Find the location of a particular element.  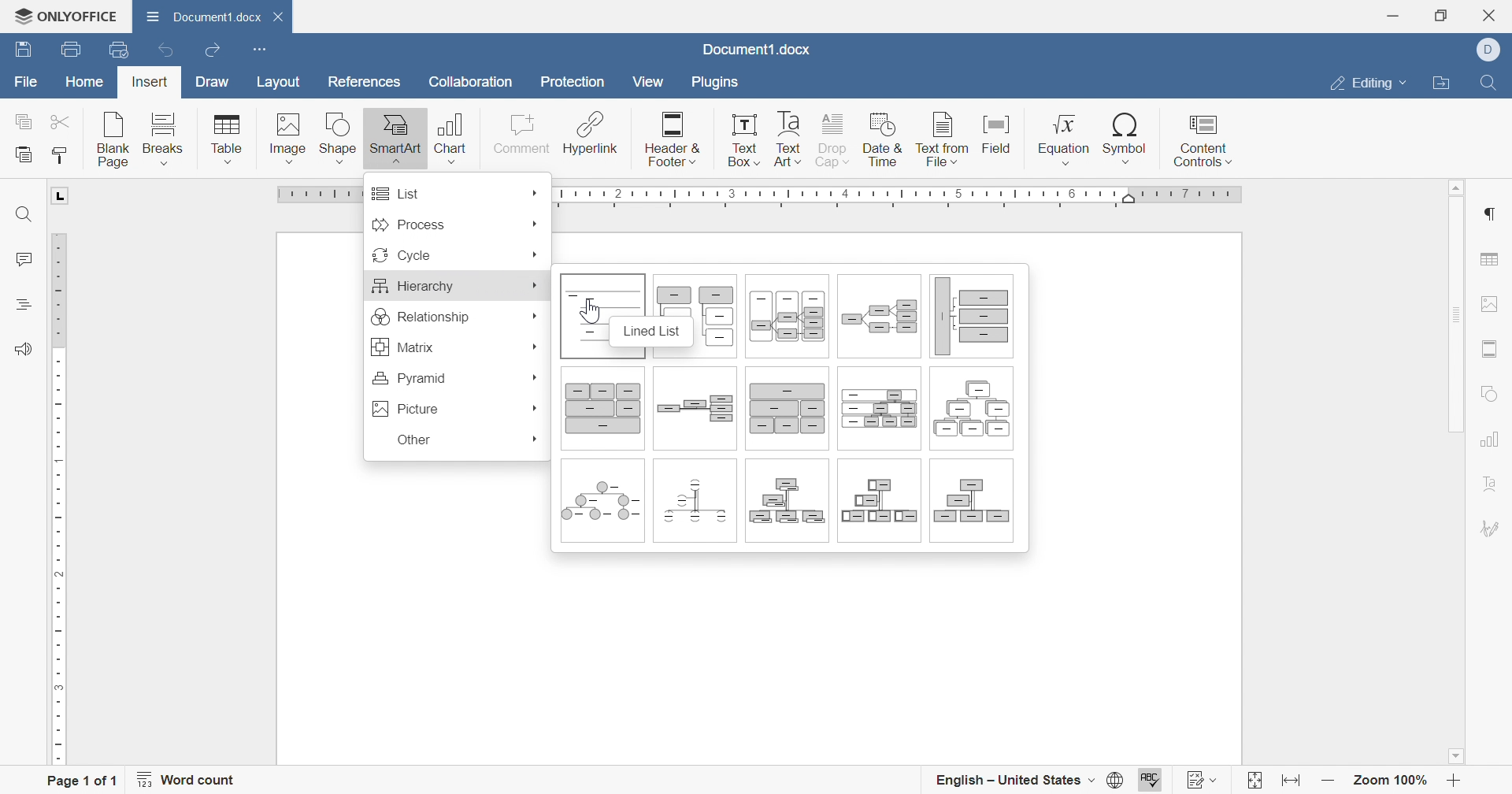

More is located at coordinates (537, 255).